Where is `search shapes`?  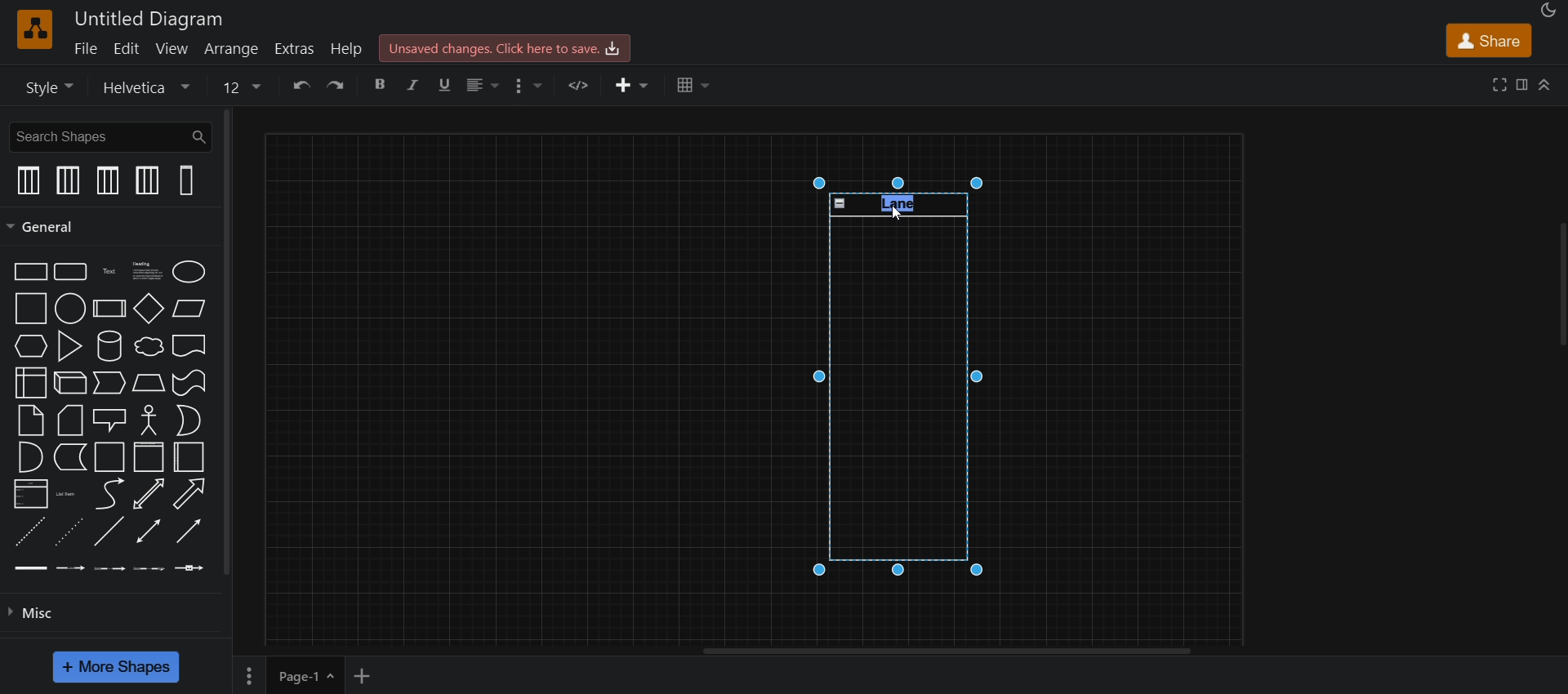 search shapes is located at coordinates (109, 136).